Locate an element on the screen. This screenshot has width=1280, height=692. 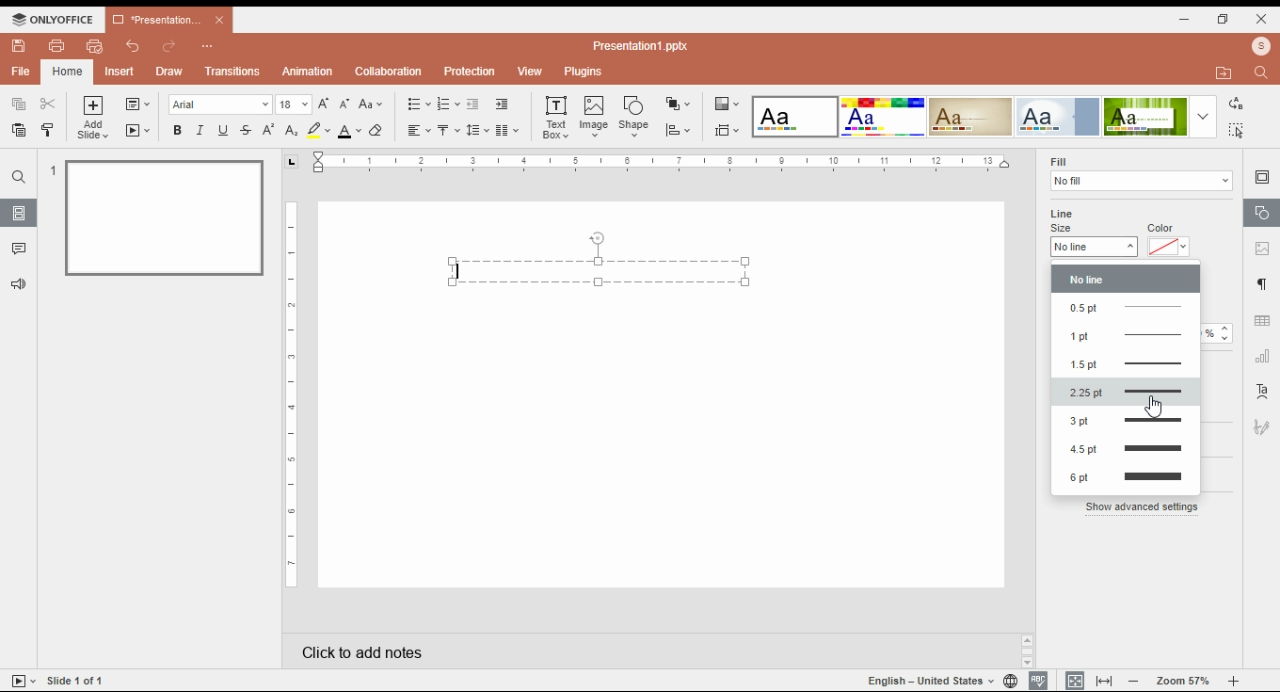
increment font size is located at coordinates (325, 102).